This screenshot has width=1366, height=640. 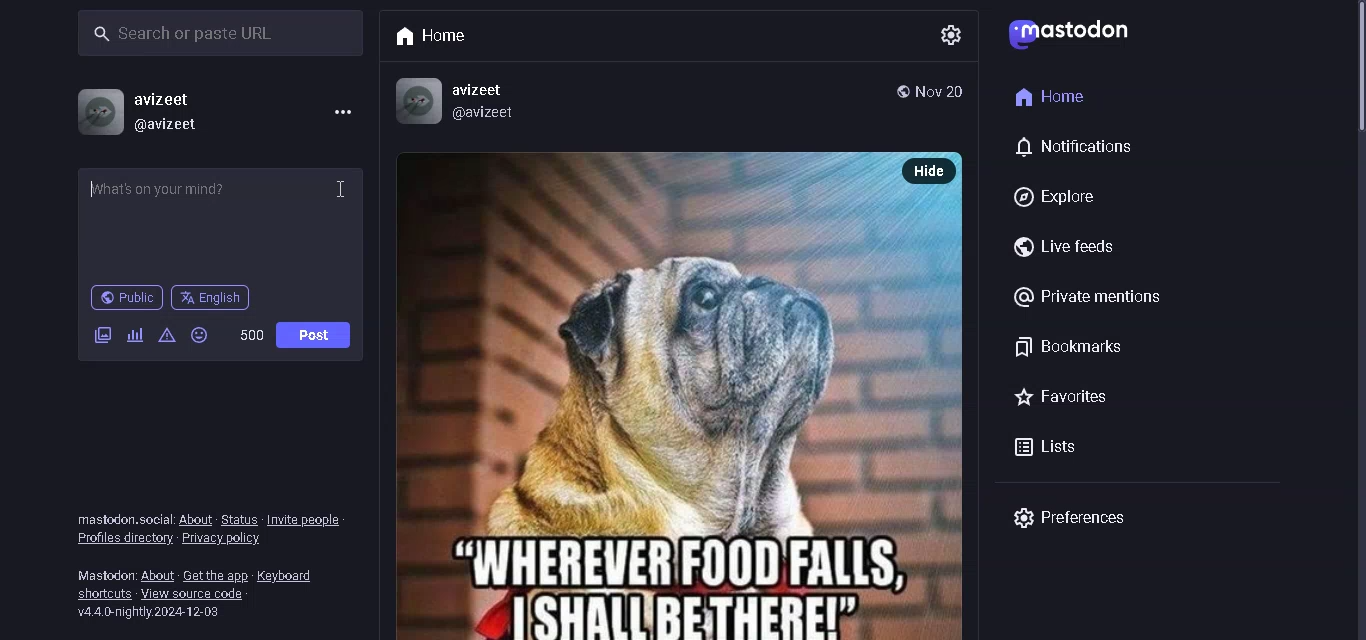 I want to click on logo, so click(x=1075, y=29).